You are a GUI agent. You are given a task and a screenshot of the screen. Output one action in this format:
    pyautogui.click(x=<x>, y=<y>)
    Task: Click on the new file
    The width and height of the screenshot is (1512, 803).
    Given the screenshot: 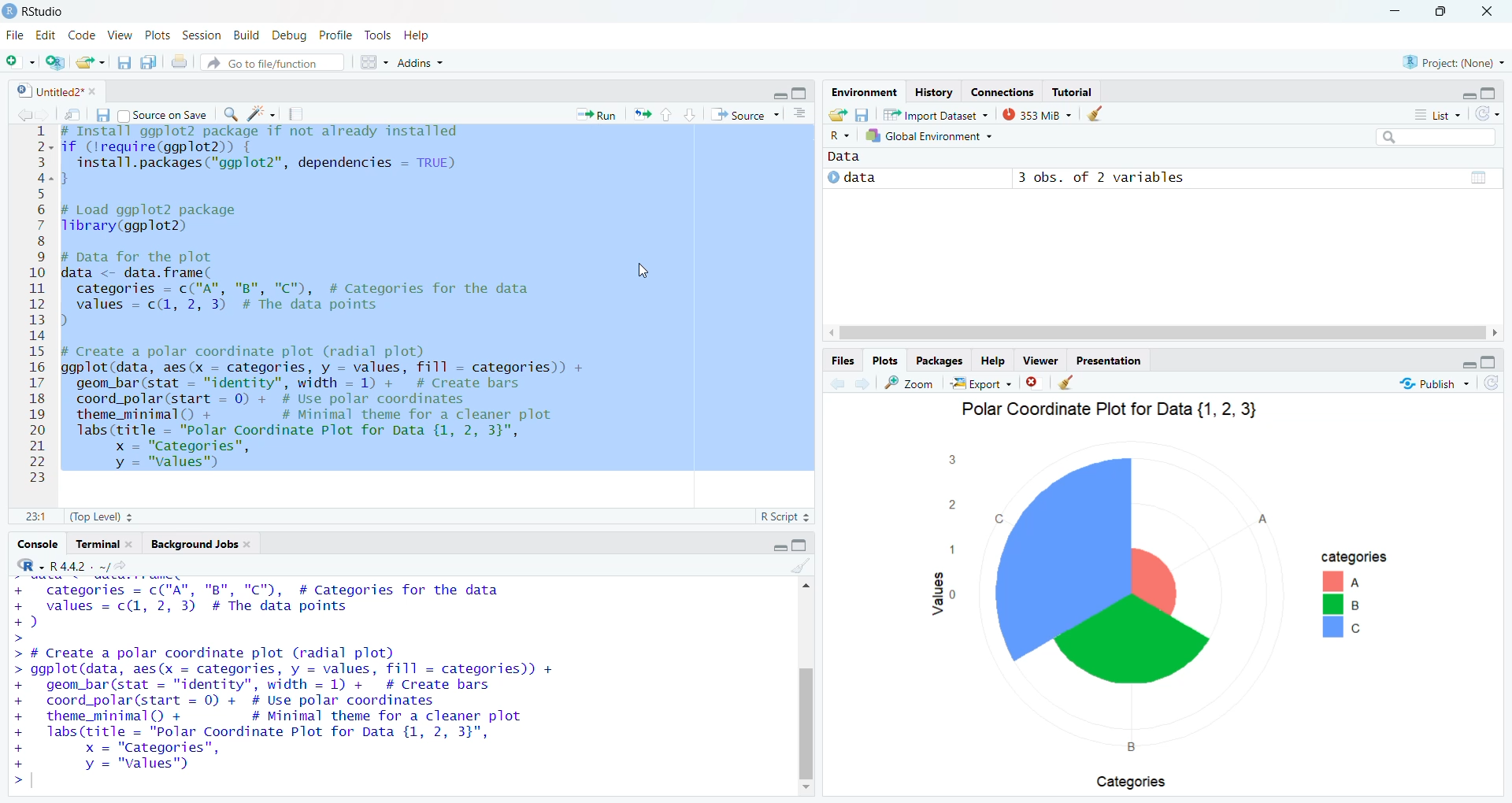 What is the action you would take?
    pyautogui.click(x=19, y=62)
    